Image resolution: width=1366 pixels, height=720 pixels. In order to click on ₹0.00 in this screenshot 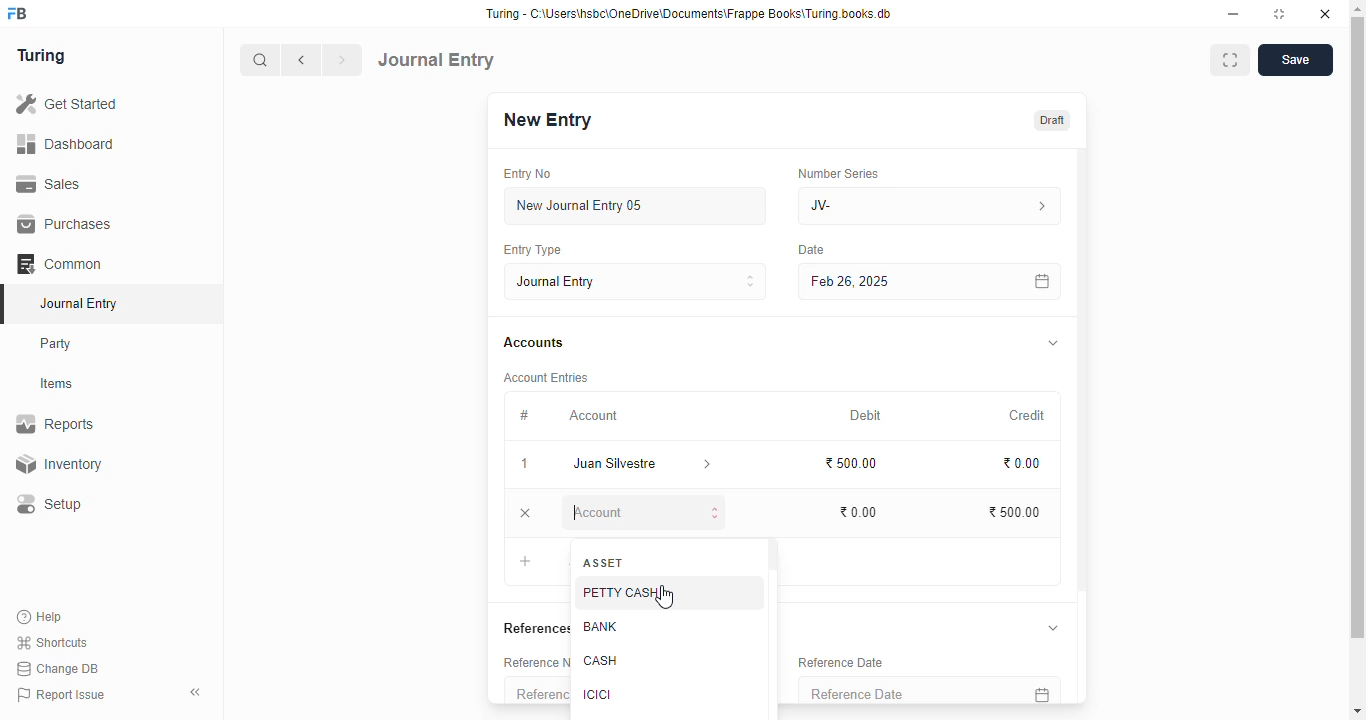, I will do `click(857, 512)`.